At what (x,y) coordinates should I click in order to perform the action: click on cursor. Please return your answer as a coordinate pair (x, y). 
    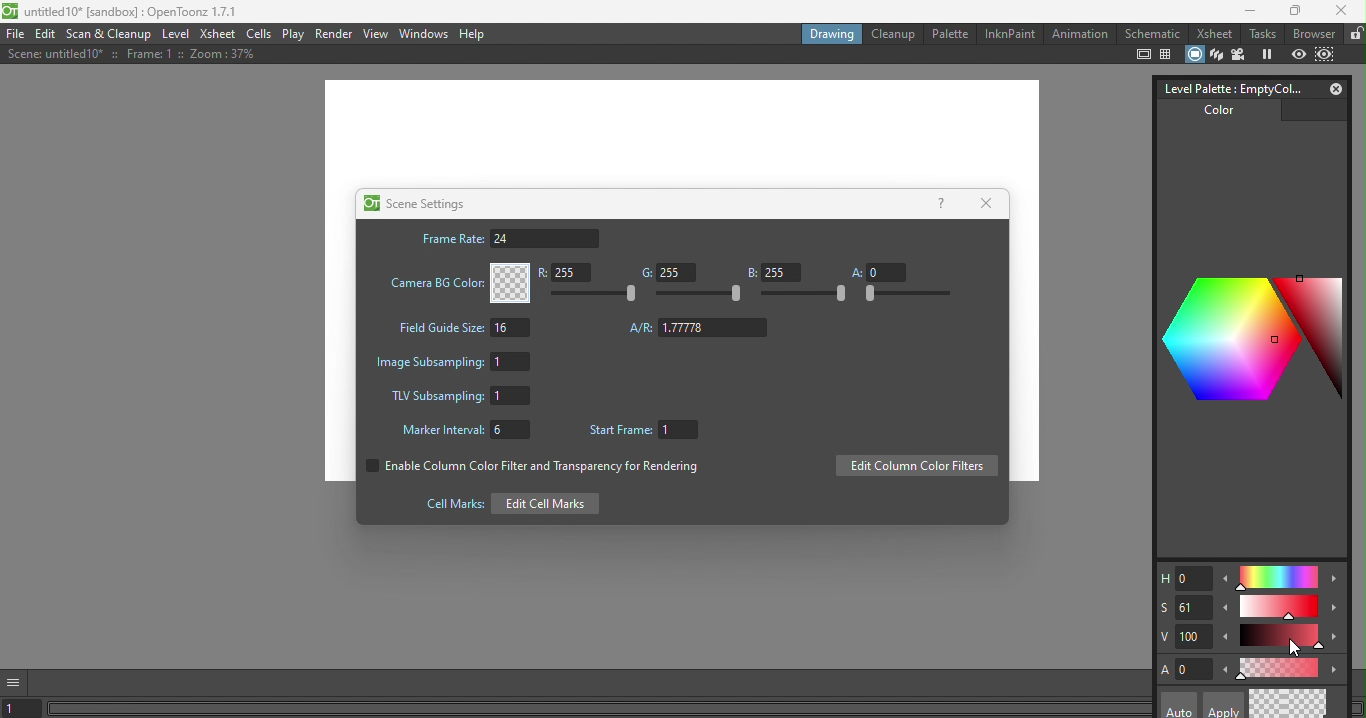
    Looking at the image, I should click on (1294, 649).